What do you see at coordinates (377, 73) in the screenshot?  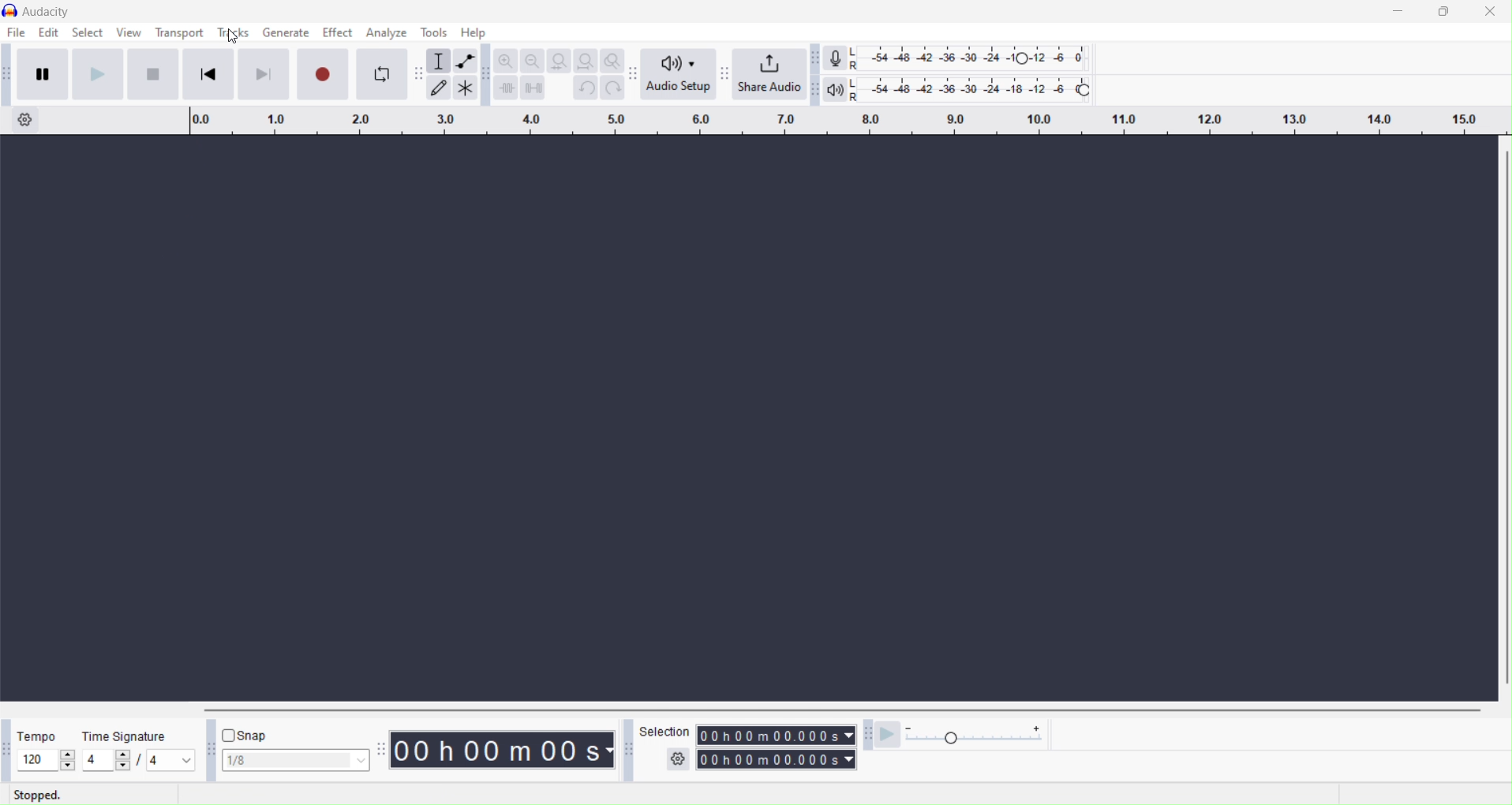 I see `Enable looping` at bounding box center [377, 73].